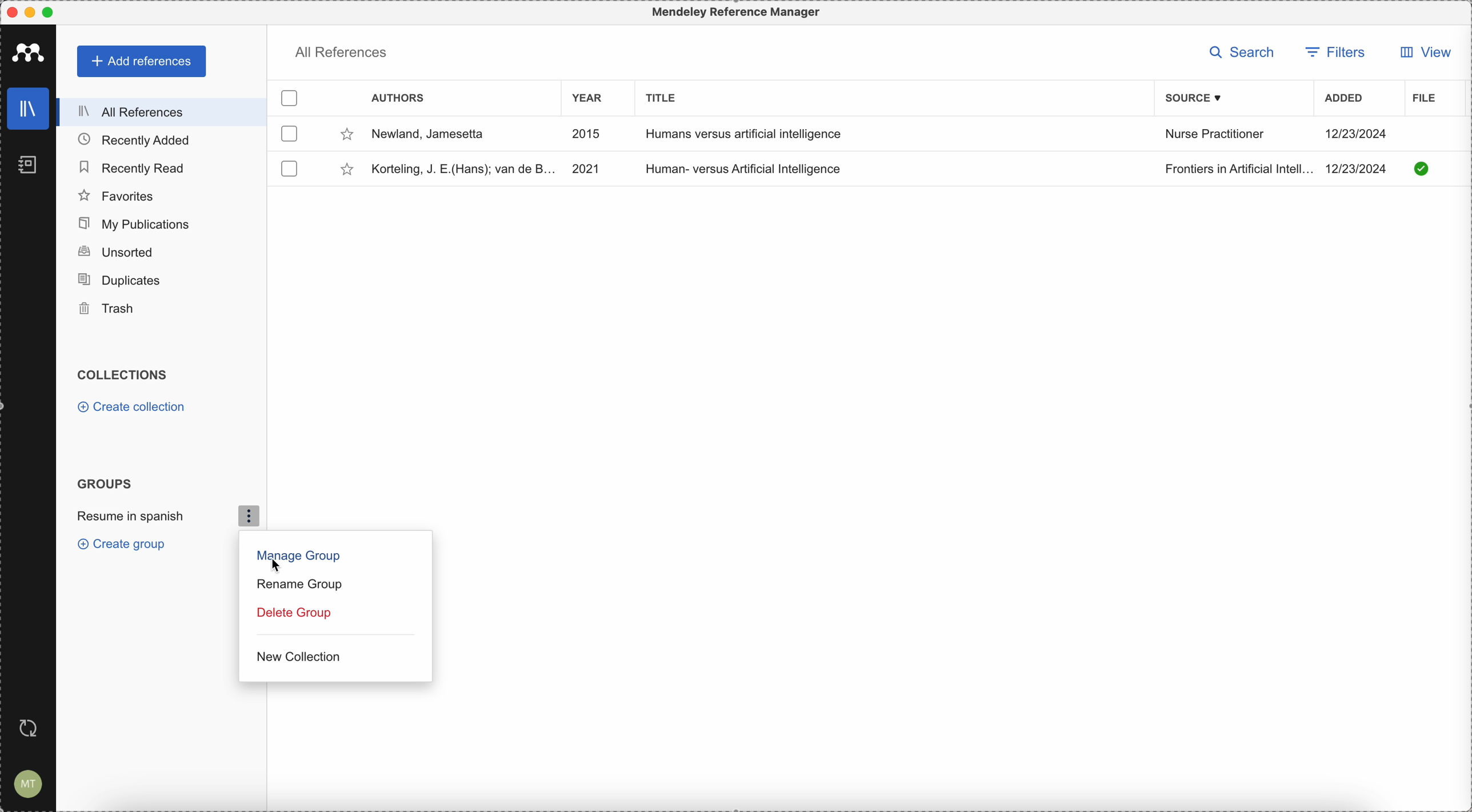 This screenshot has width=1472, height=812. I want to click on 2021, so click(585, 167).